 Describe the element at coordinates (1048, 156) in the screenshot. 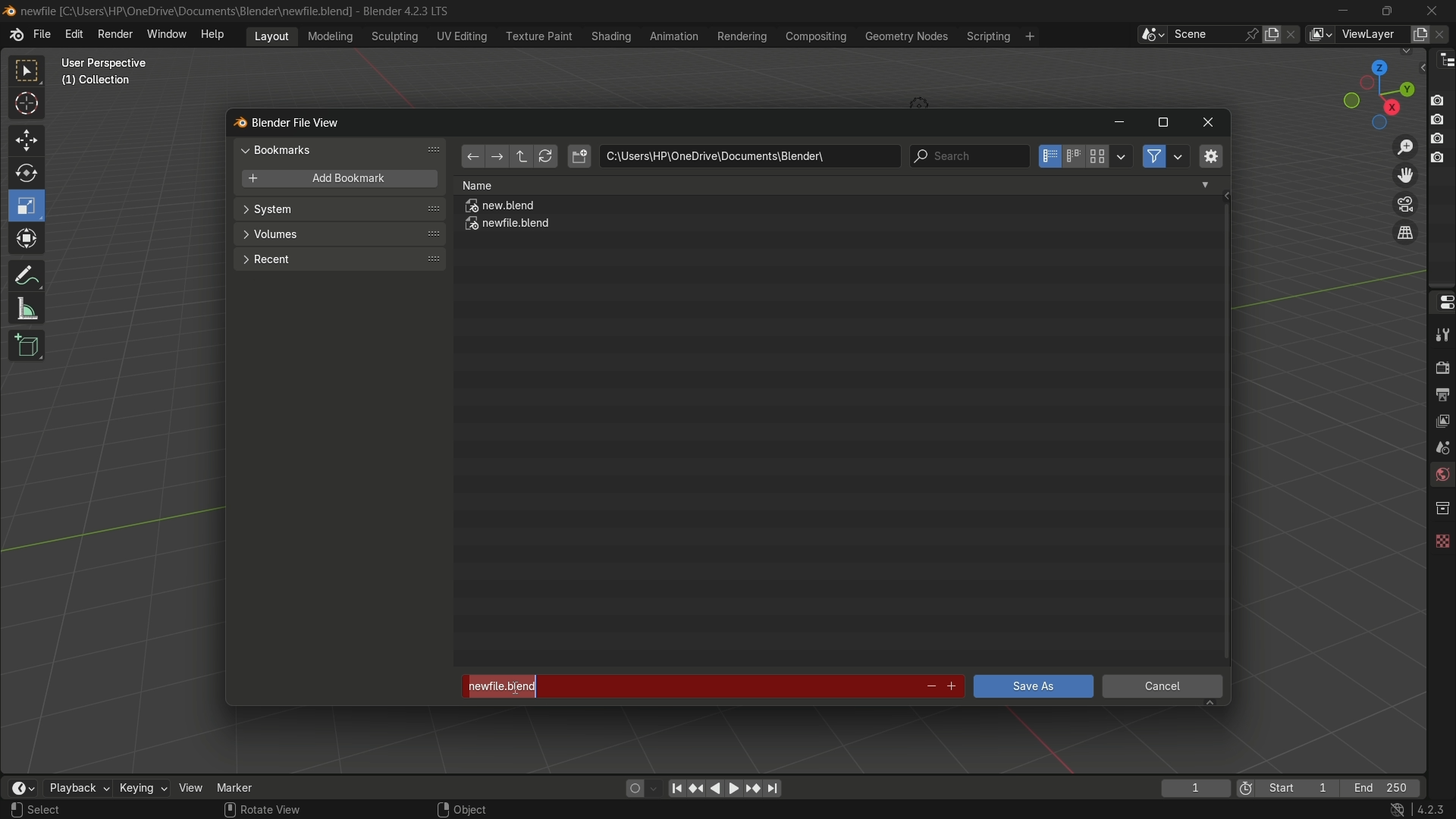

I see `vertical list` at that location.